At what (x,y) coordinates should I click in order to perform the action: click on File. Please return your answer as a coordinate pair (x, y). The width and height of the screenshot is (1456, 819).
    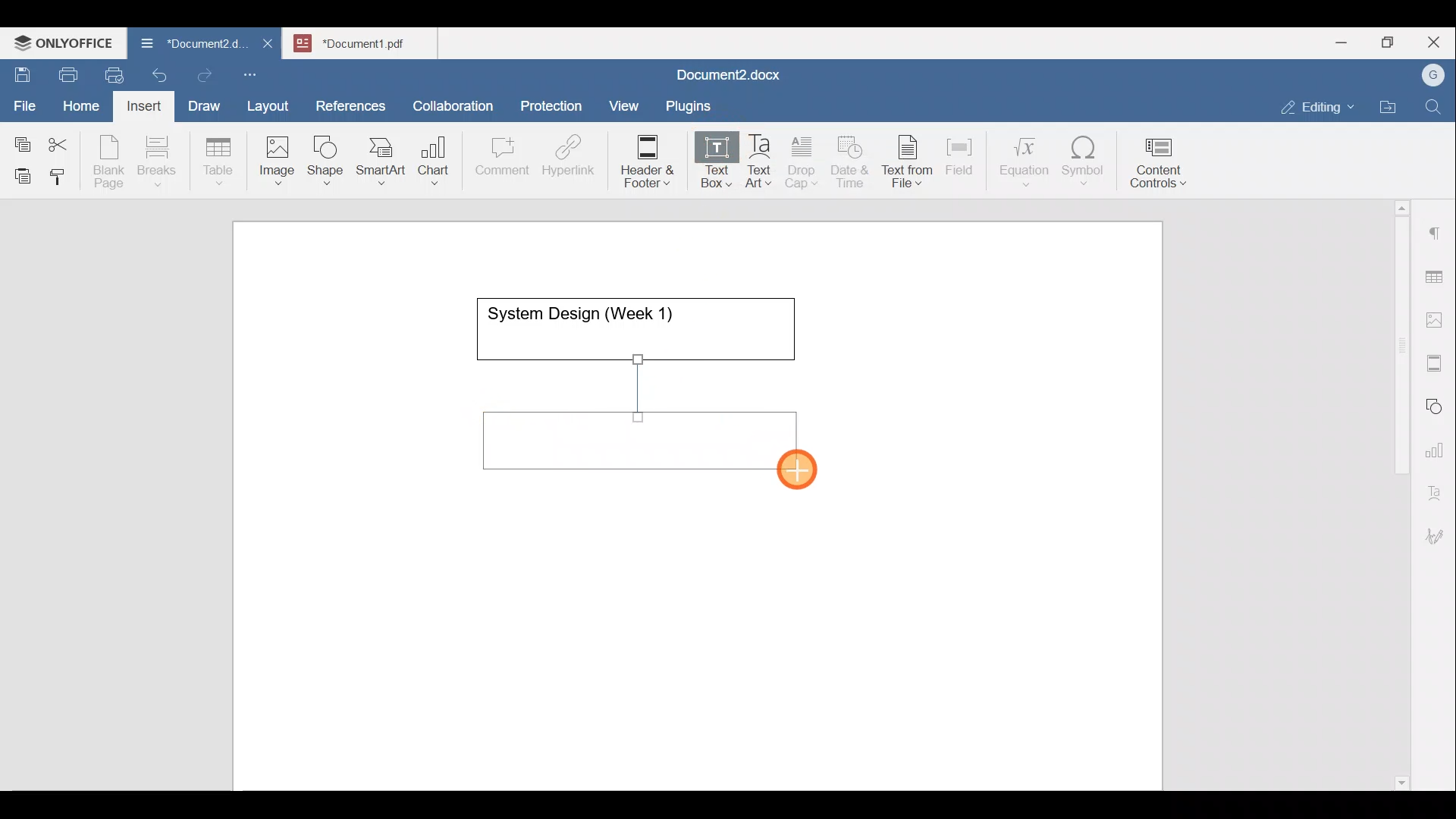
    Looking at the image, I should click on (26, 101).